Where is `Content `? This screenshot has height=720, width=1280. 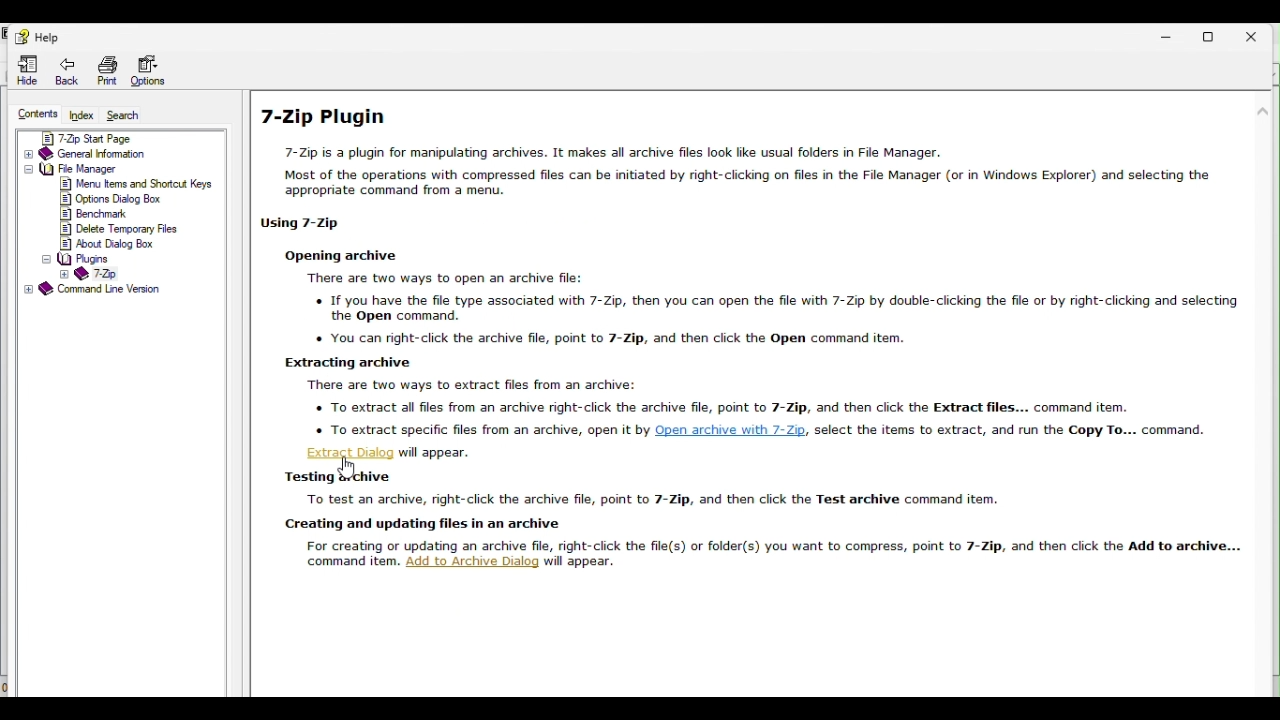 Content  is located at coordinates (36, 112).